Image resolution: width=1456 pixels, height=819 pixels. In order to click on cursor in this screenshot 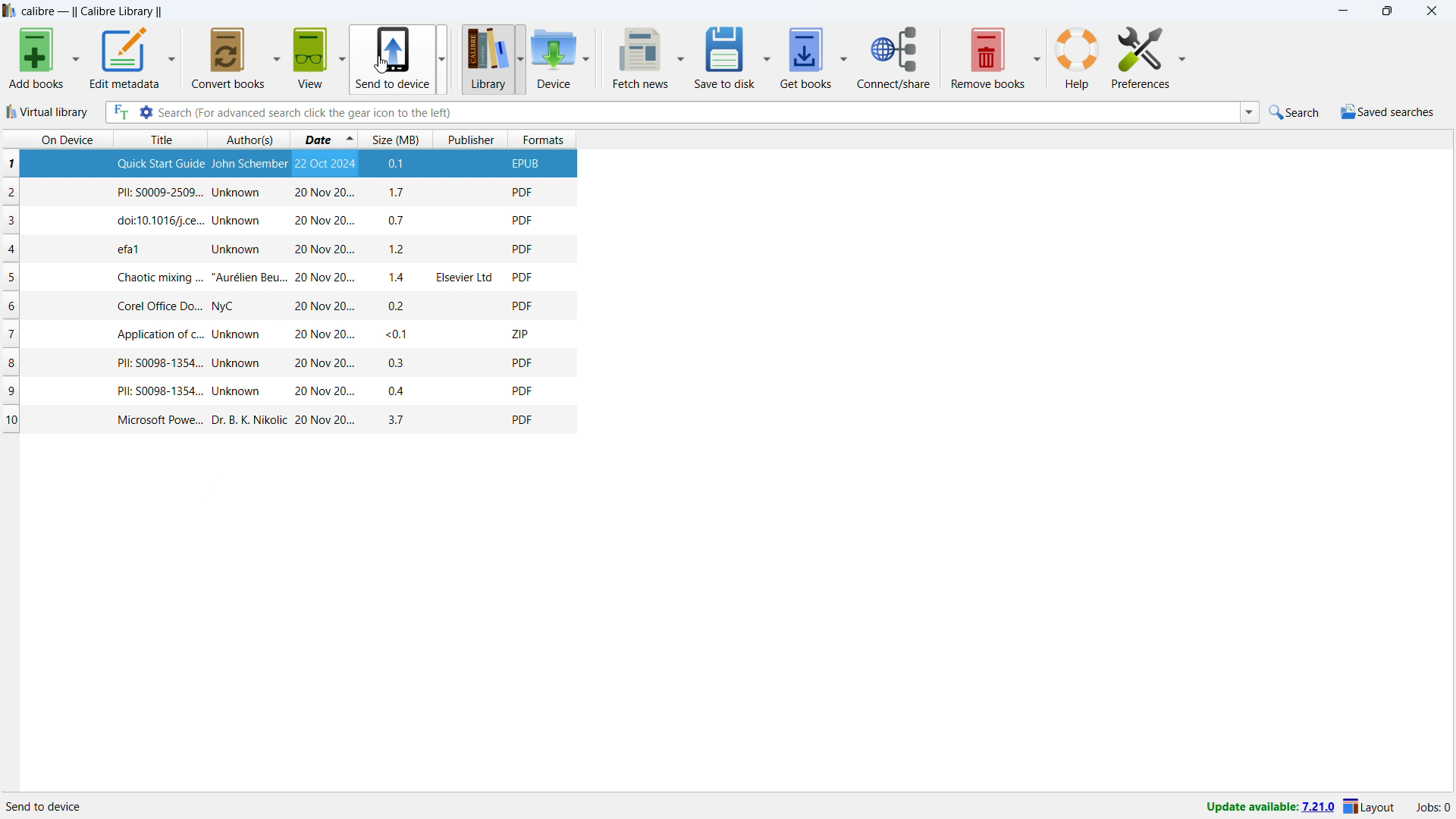, I will do `click(381, 64)`.